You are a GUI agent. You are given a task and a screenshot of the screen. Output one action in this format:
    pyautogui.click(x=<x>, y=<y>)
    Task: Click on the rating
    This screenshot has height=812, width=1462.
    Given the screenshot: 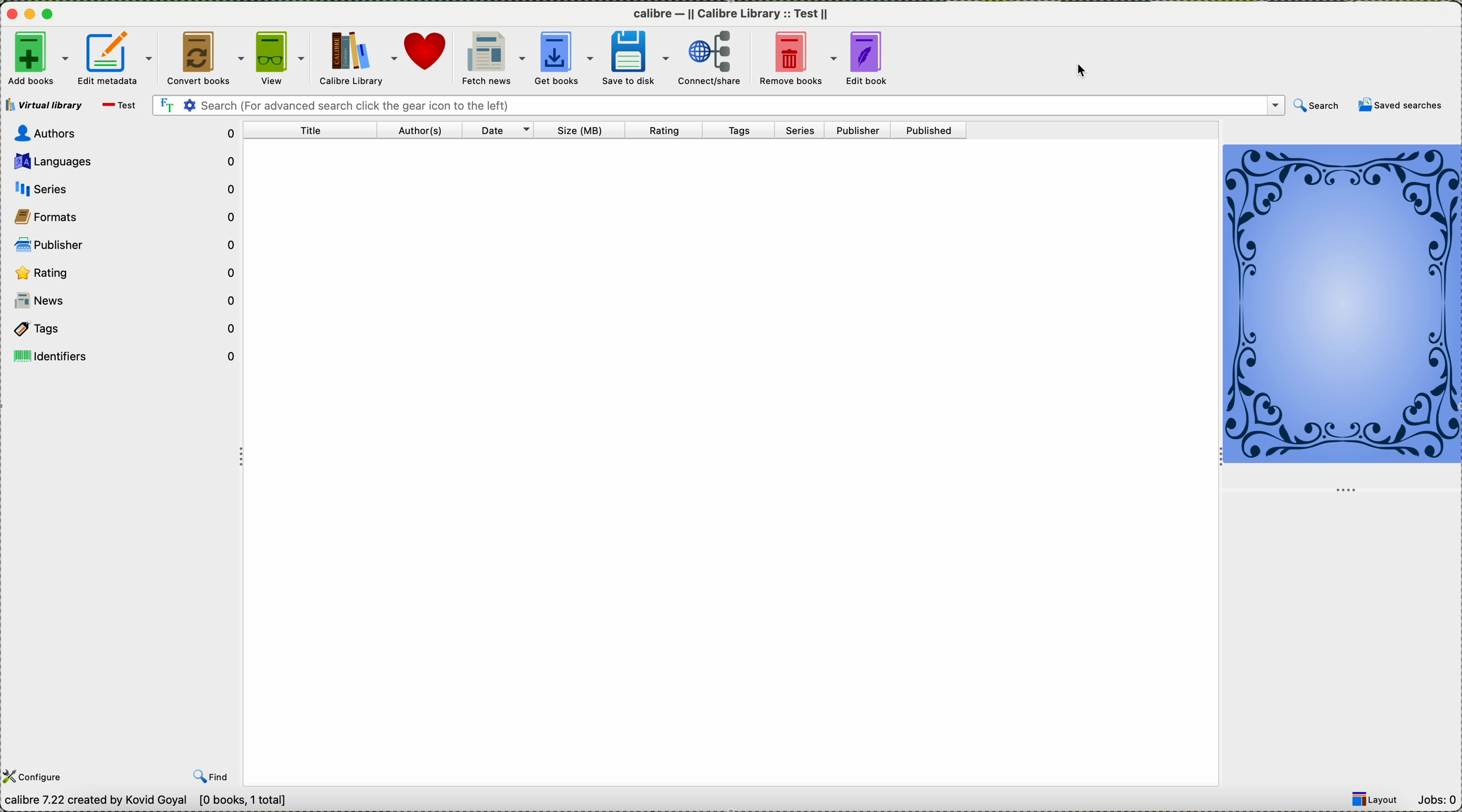 What is the action you would take?
    pyautogui.click(x=124, y=272)
    